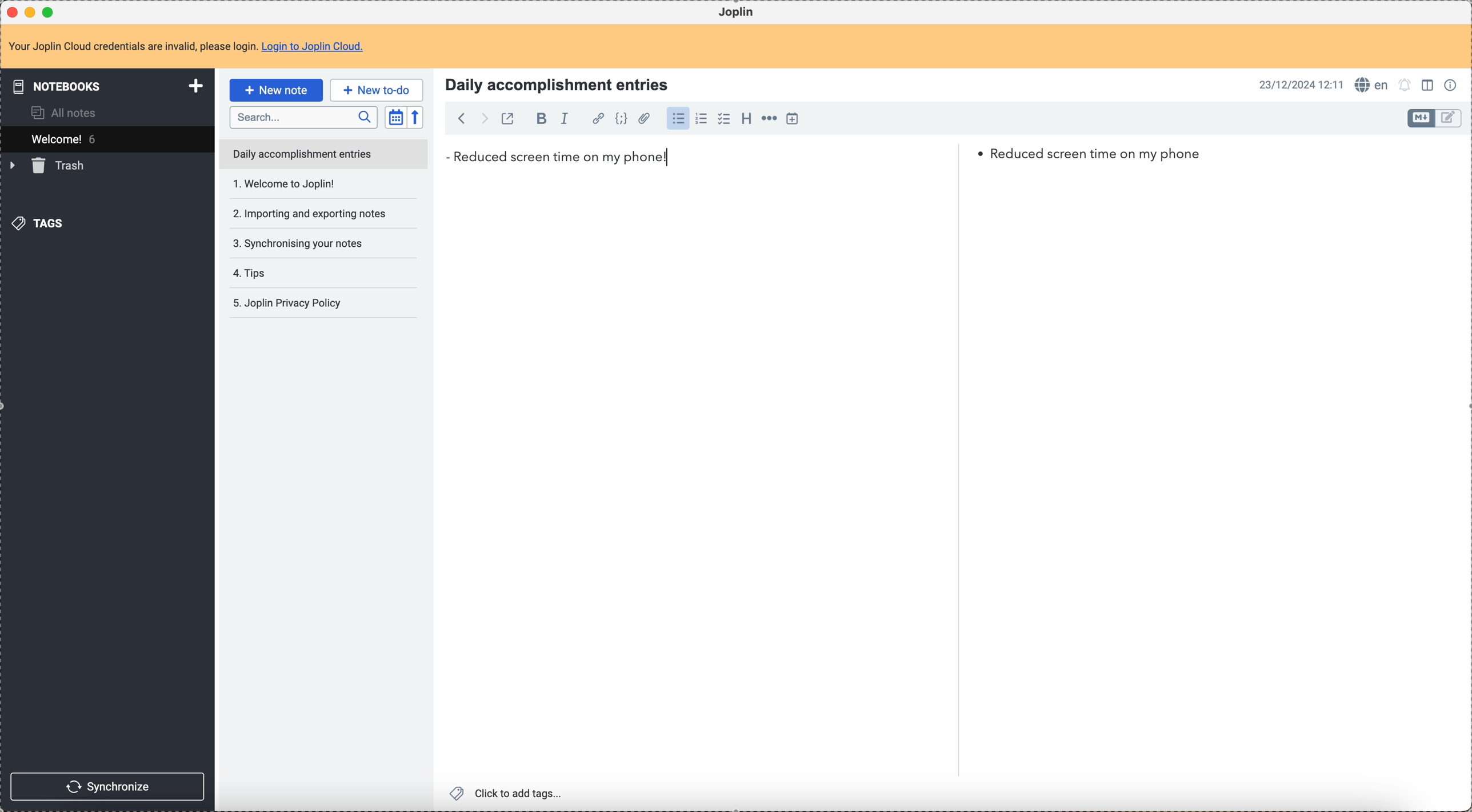  What do you see at coordinates (377, 89) in the screenshot?
I see `new to-do` at bounding box center [377, 89].